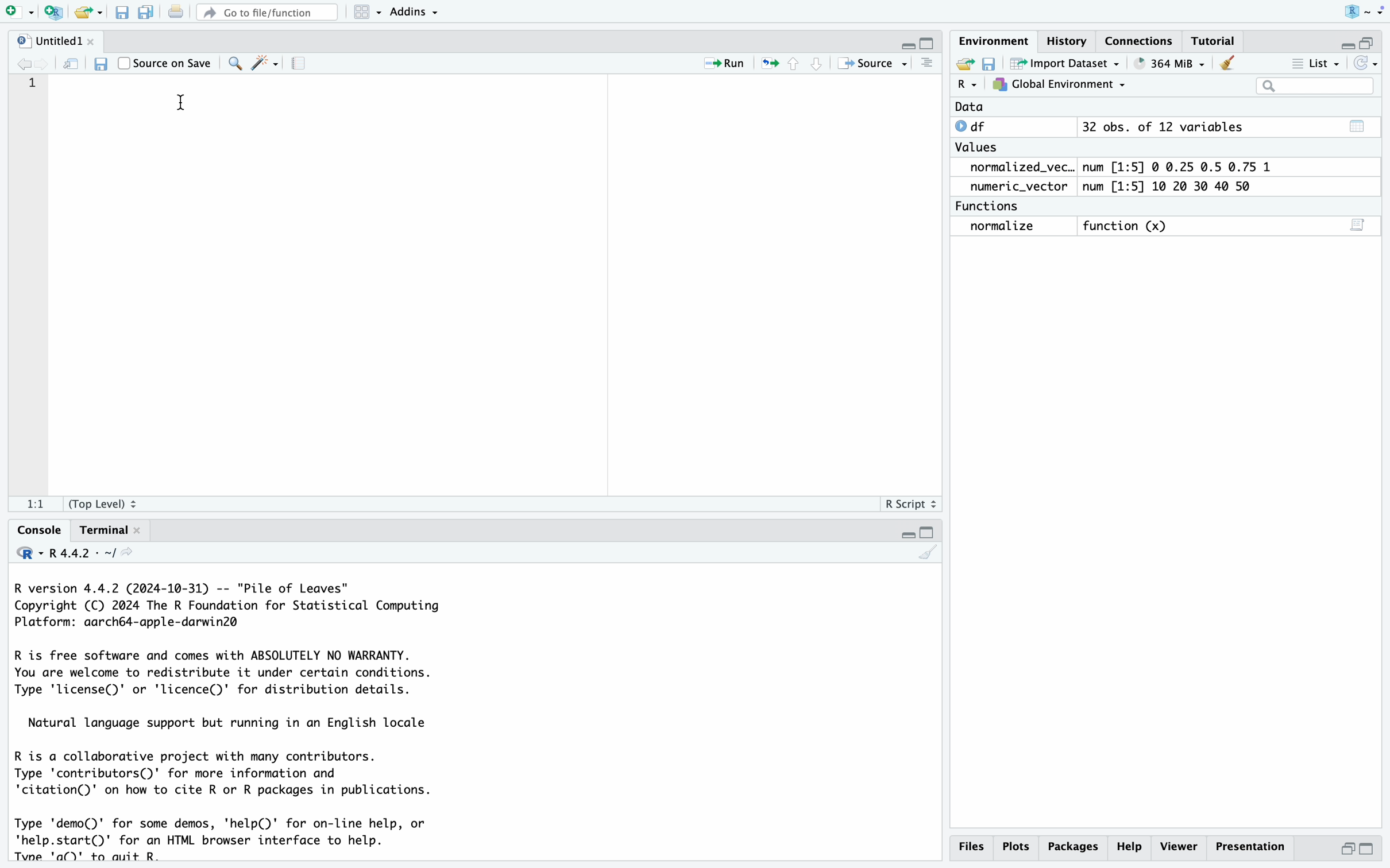  I want to click on Terminal, so click(107, 529).